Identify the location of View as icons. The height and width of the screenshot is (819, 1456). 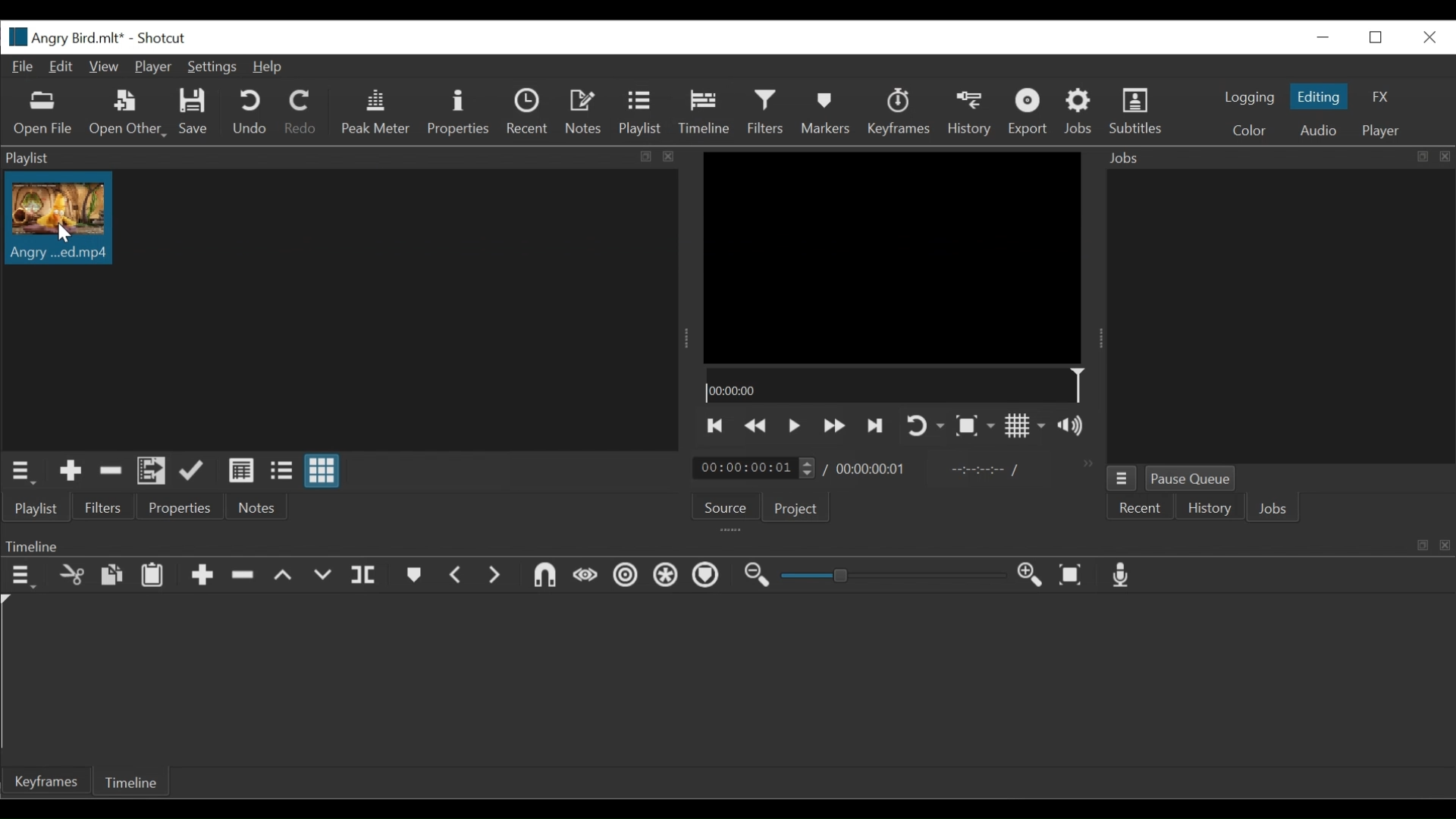
(324, 471).